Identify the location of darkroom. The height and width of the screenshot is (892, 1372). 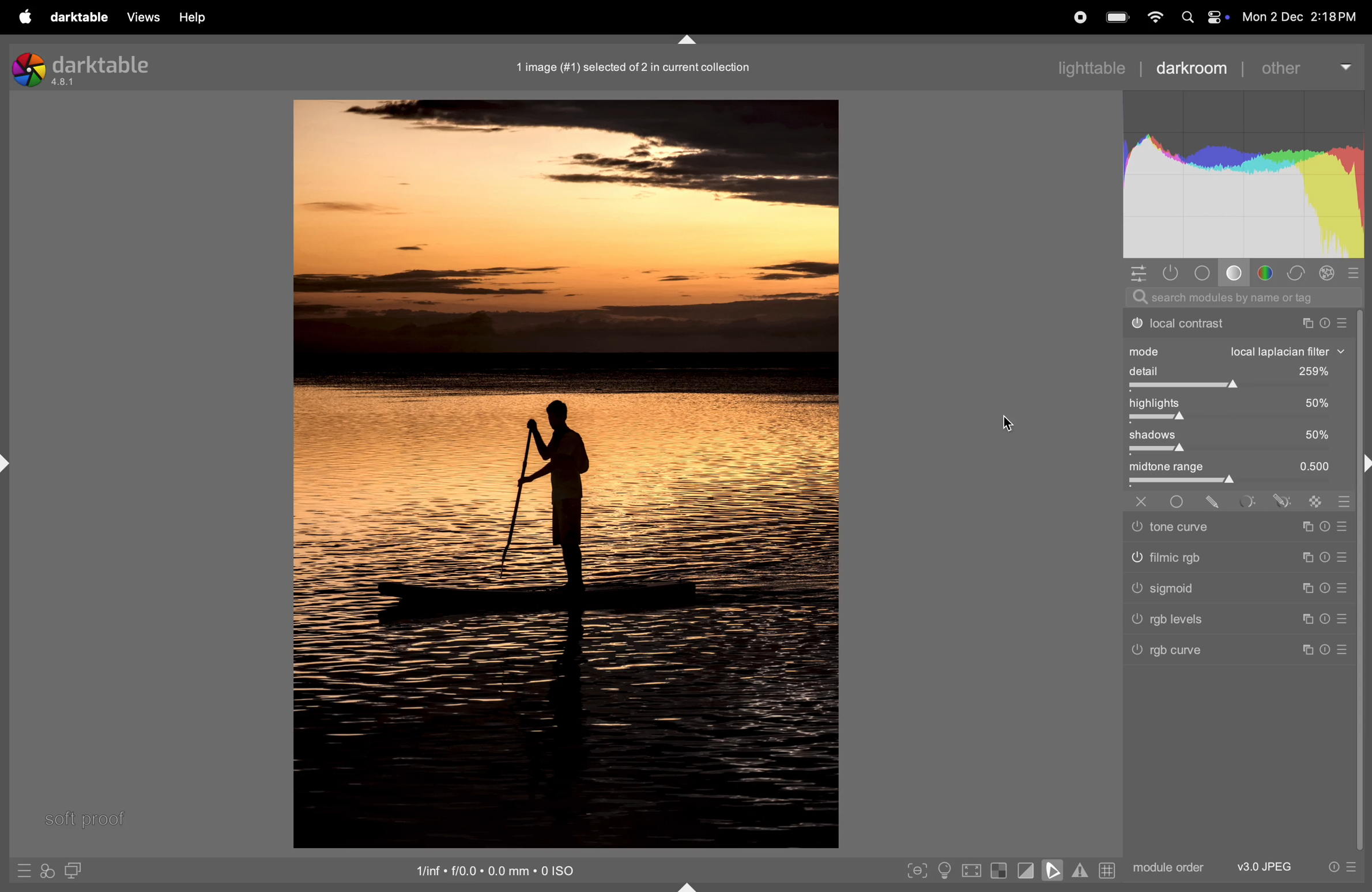
(1192, 67).